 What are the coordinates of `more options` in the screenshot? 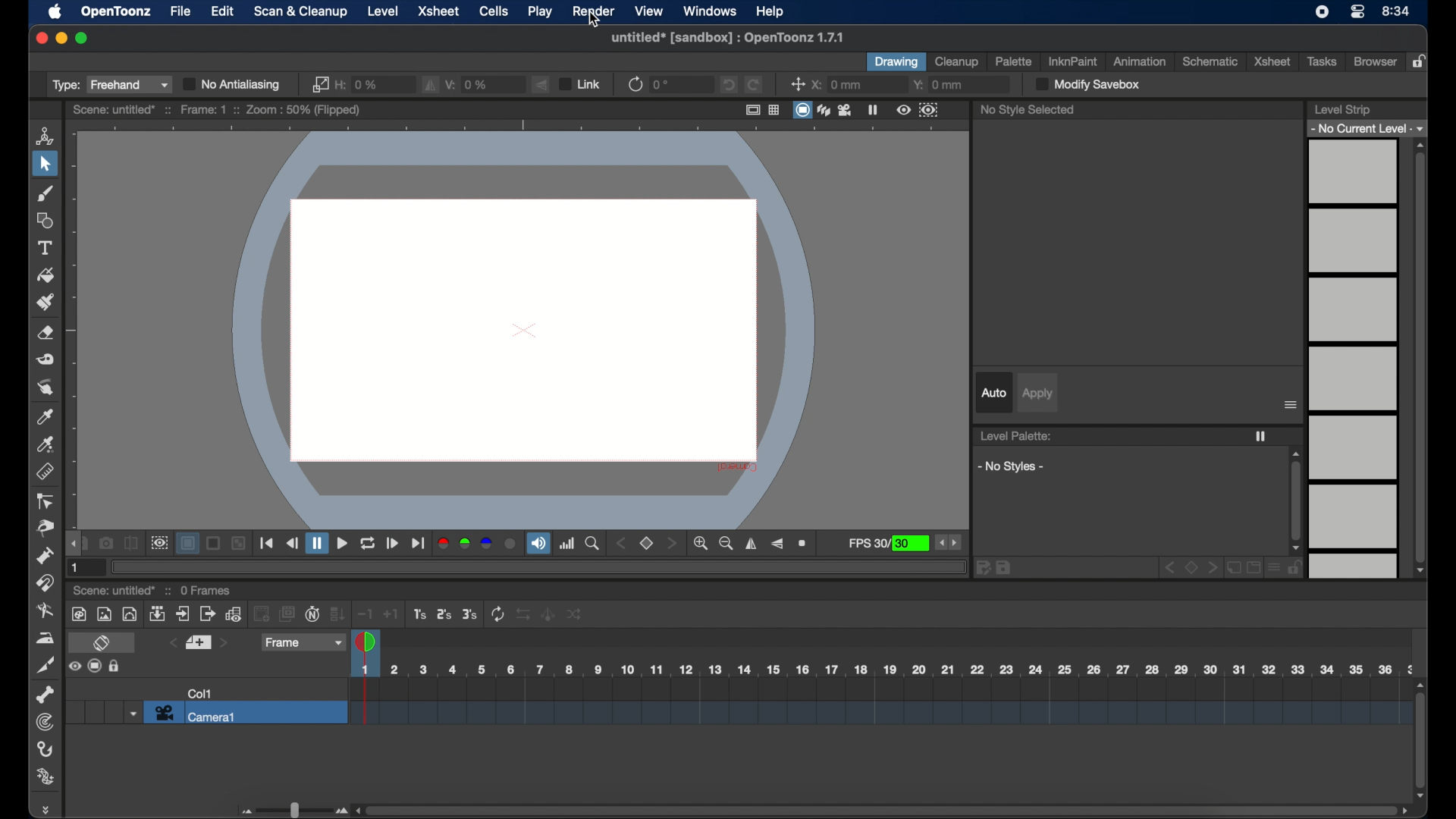 It's located at (1291, 405).